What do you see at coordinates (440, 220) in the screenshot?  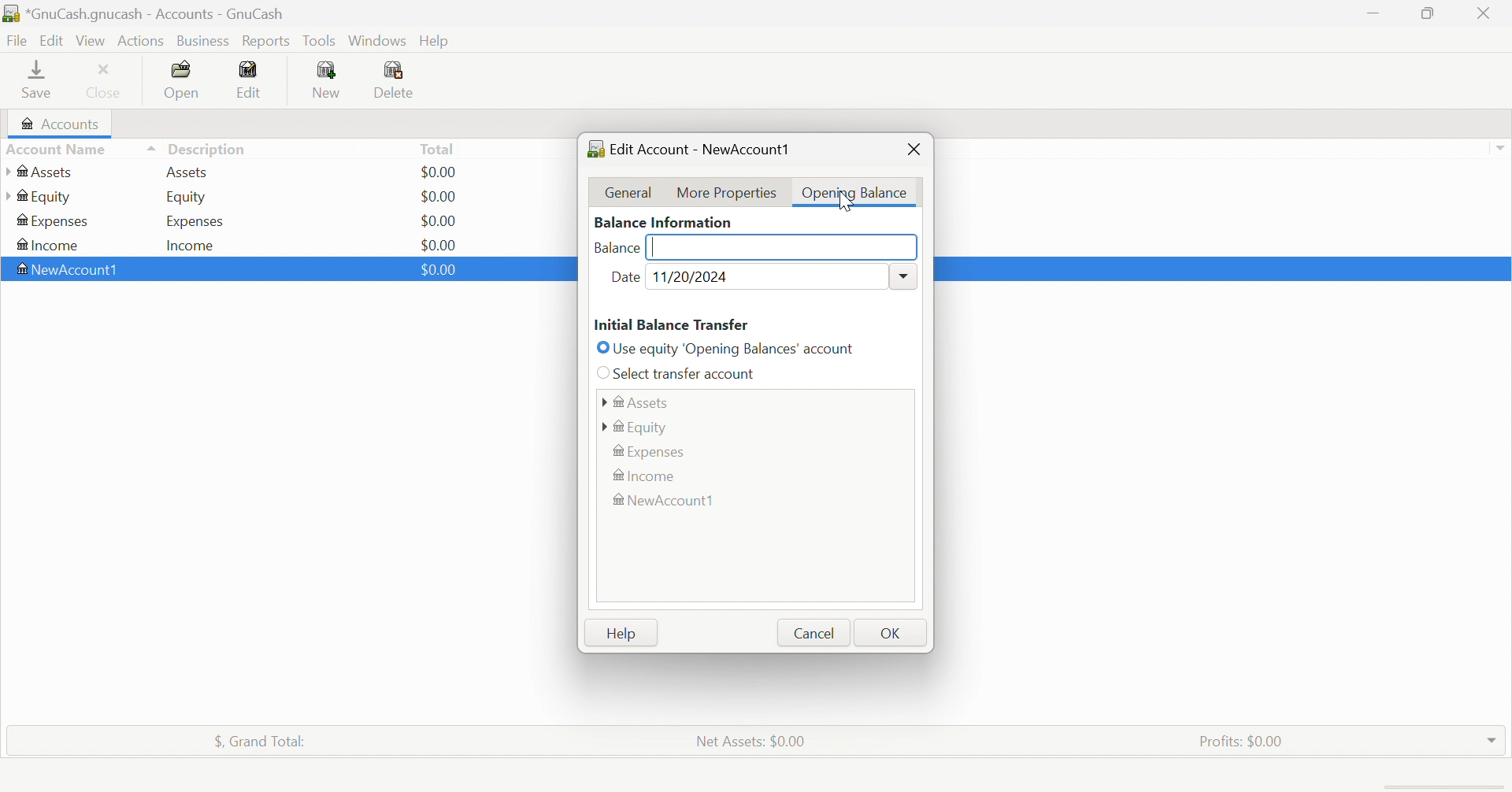 I see `$0.00` at bounding box center [440, 220].